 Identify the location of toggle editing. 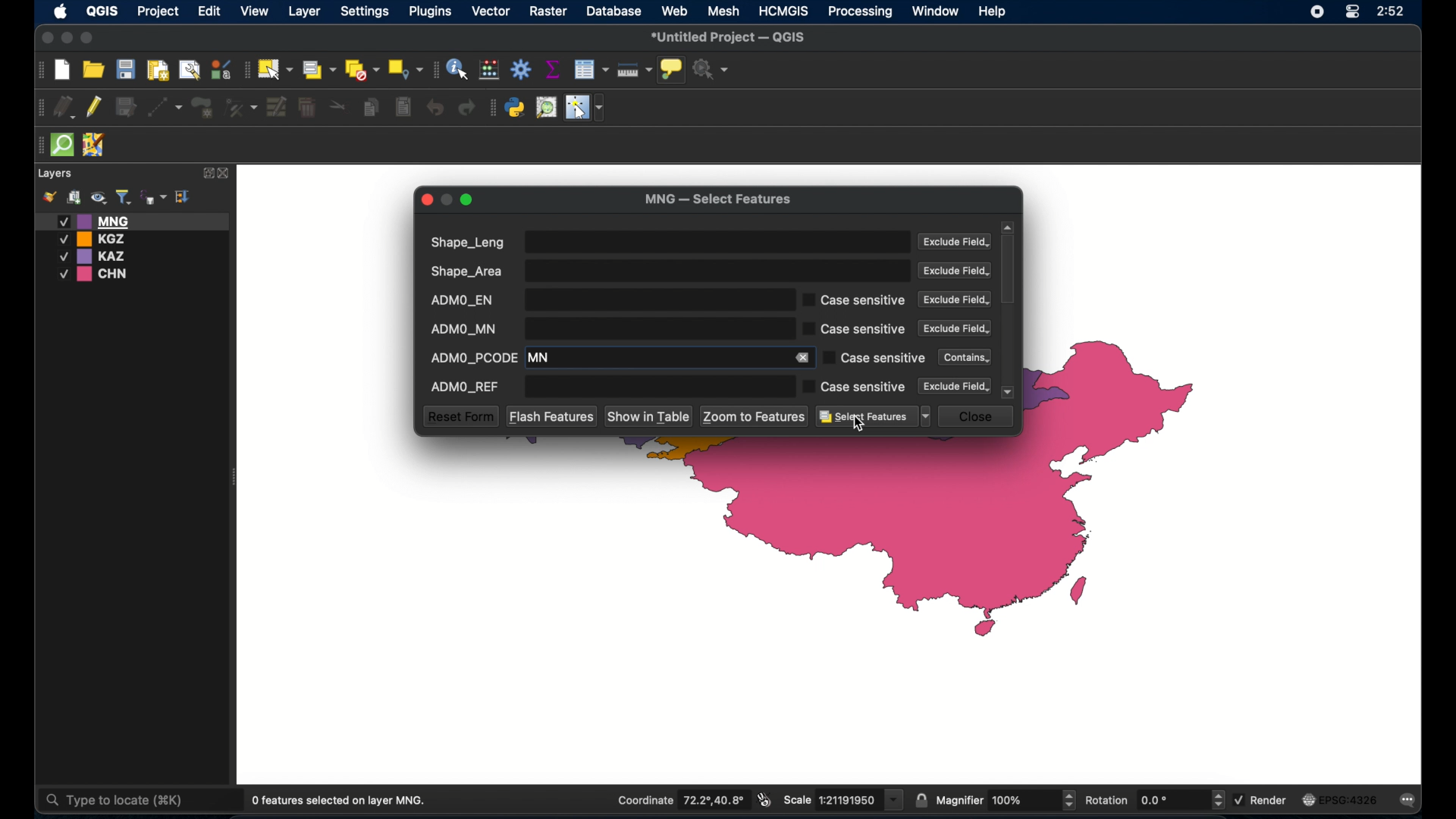
(96, 108).